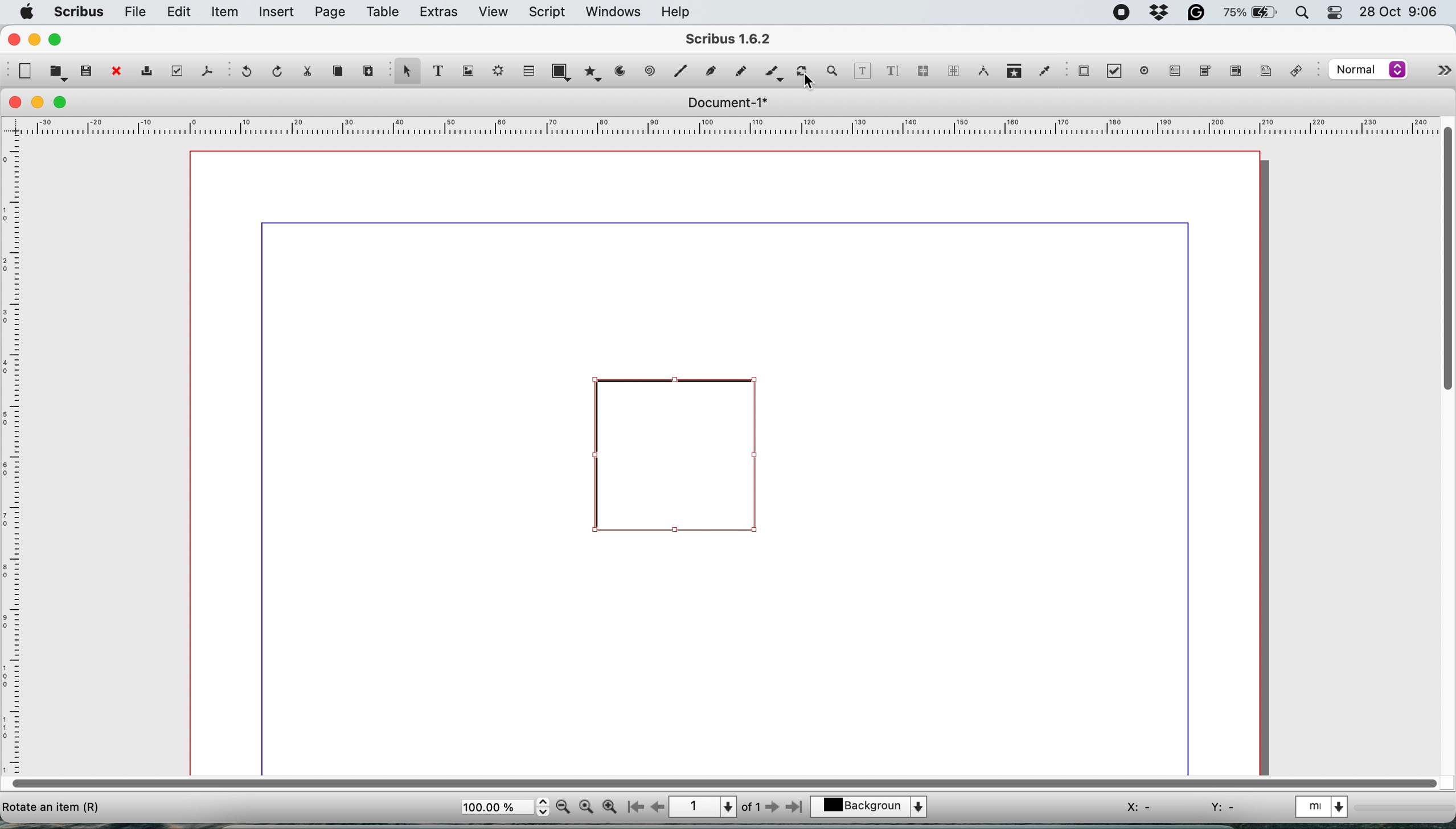 Image resolution: width=1456 pixels, height=829 pixels. Describe the element at coordinates (563, 808) in the screenshot. I see `zoom out` at that location.